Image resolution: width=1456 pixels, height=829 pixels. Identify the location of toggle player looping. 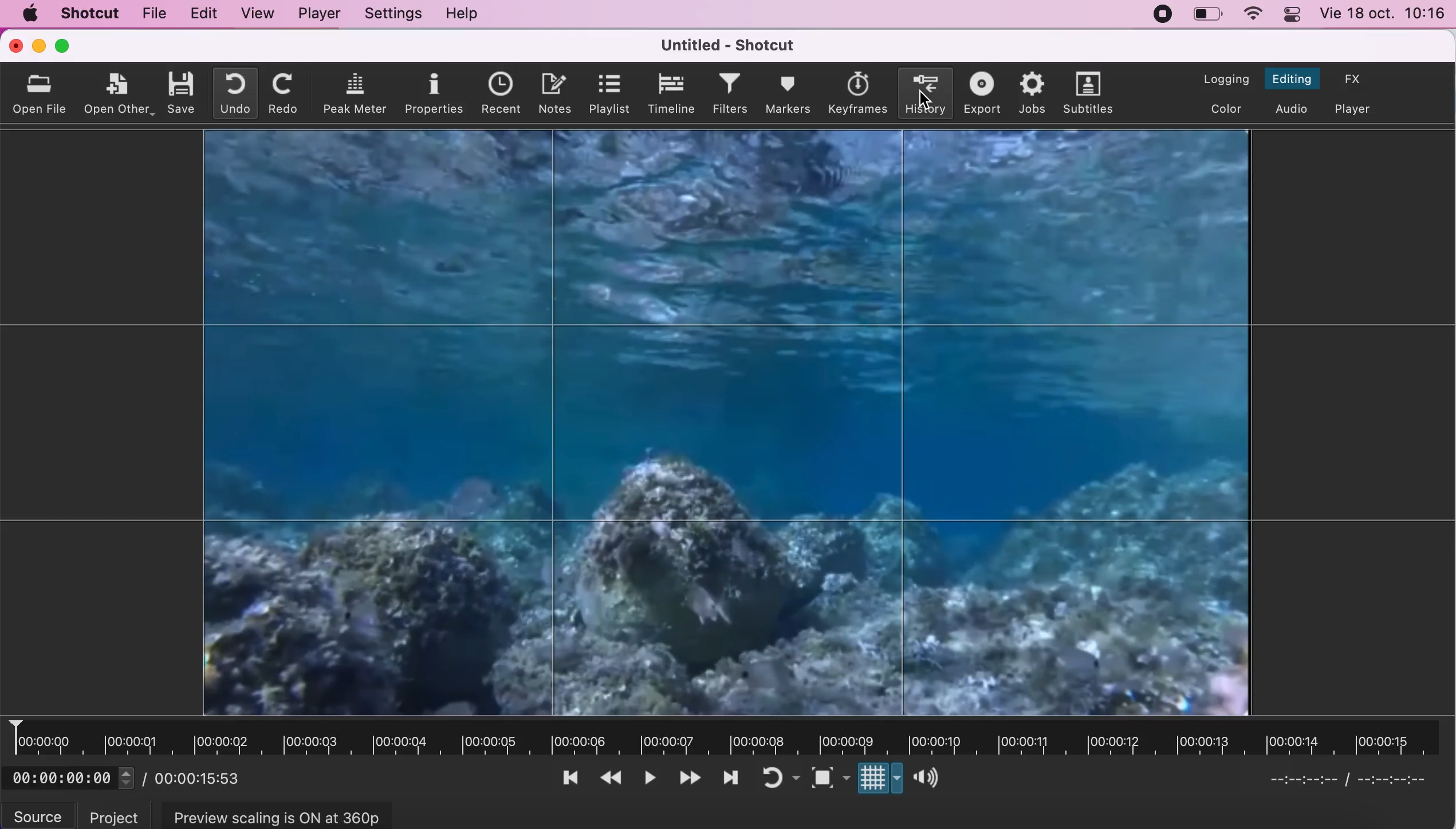
(778, 779).